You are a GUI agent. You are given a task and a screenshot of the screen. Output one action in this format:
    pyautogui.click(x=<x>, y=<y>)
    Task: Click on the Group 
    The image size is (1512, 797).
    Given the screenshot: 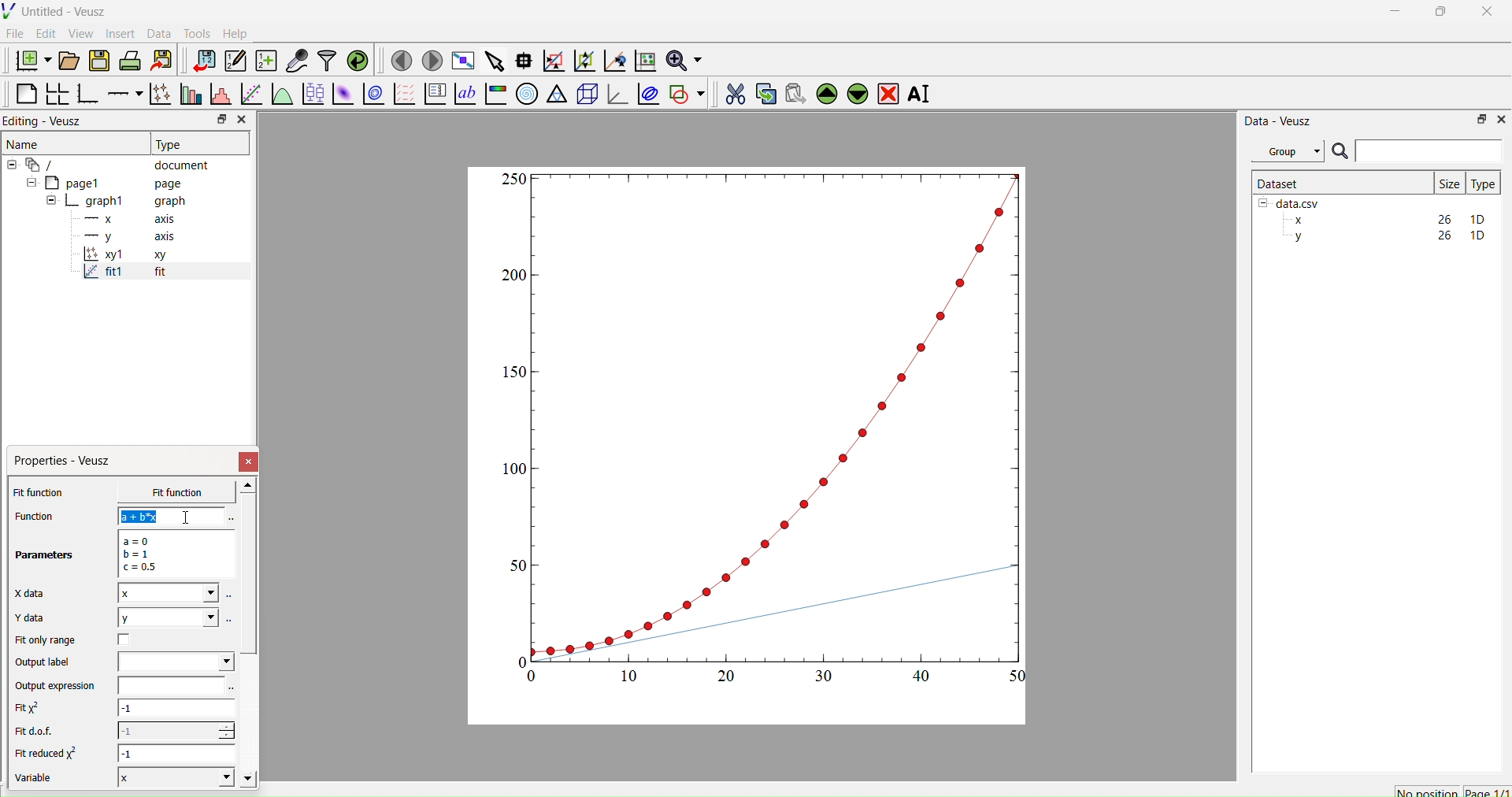 What is the action you would take?
    pyautogui.click(x=1287, y=151)
    